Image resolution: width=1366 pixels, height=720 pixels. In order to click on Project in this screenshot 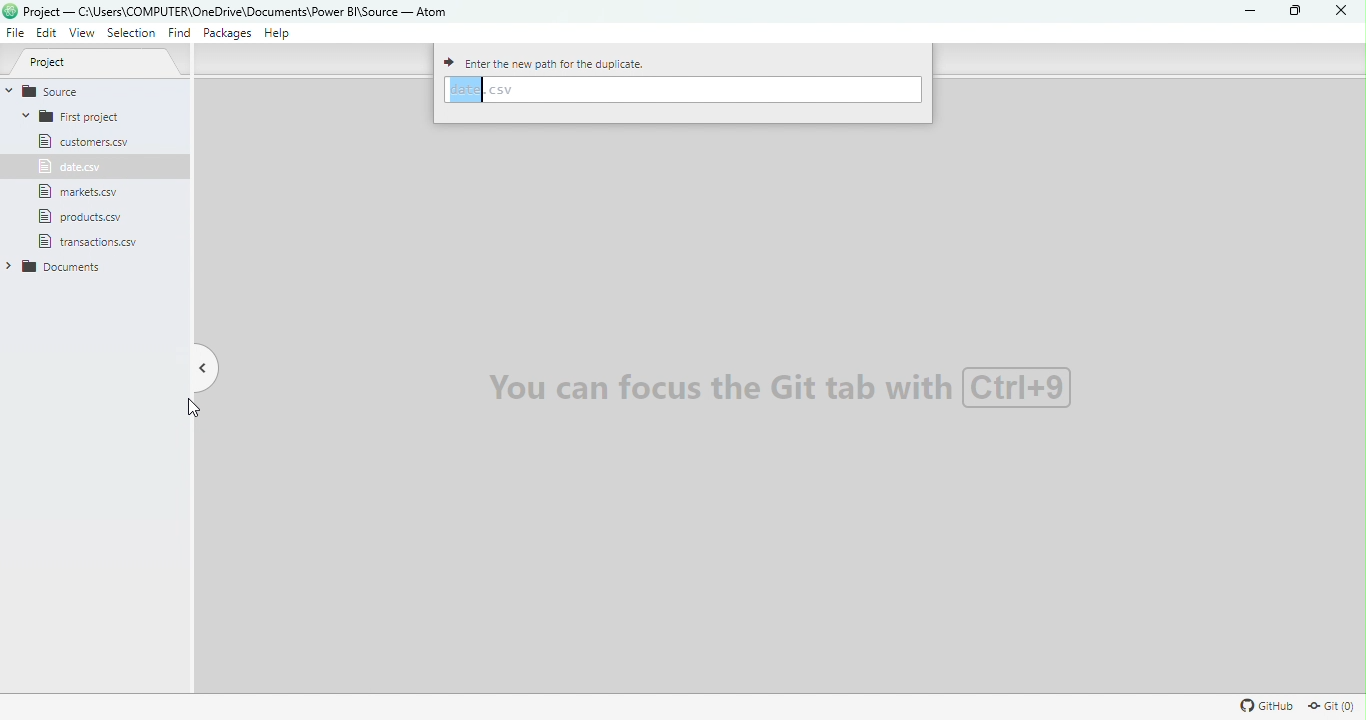, I will do `click(102, 63)`.